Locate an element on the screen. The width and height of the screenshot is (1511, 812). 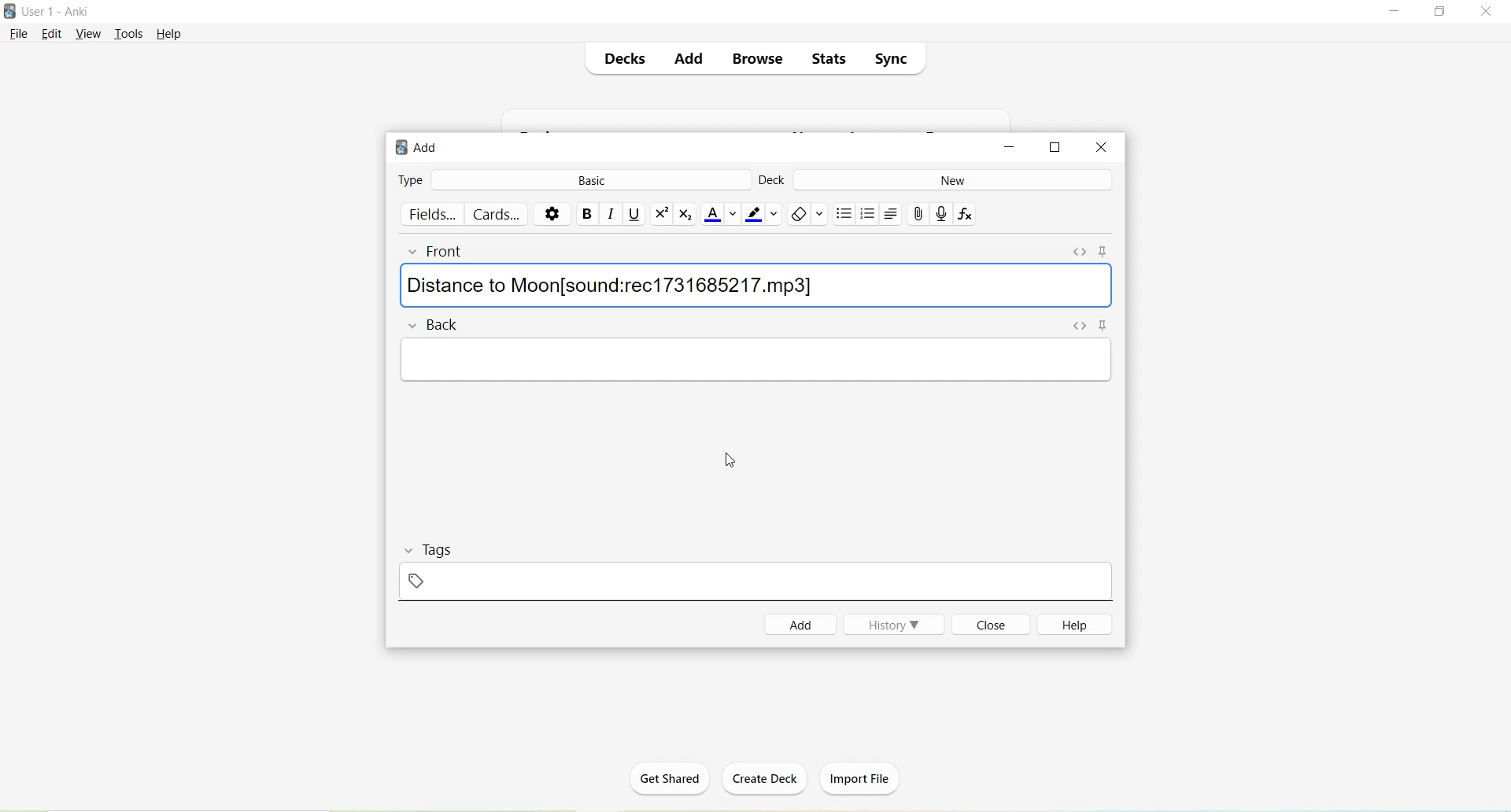
Close is located at coordinates (1101, 148).